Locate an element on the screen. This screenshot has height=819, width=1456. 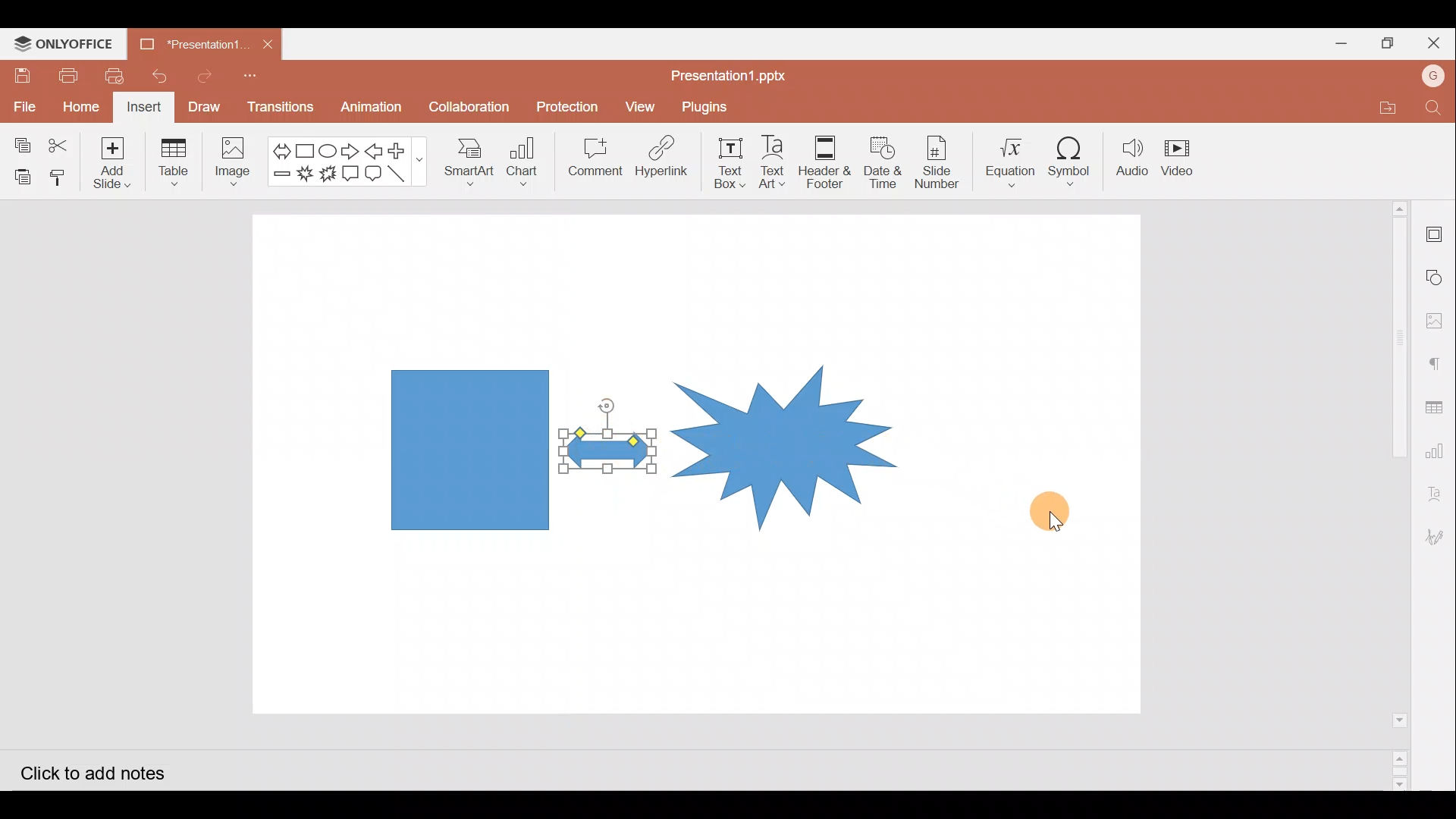
Click to add notes is located at coordinates (89, 770).